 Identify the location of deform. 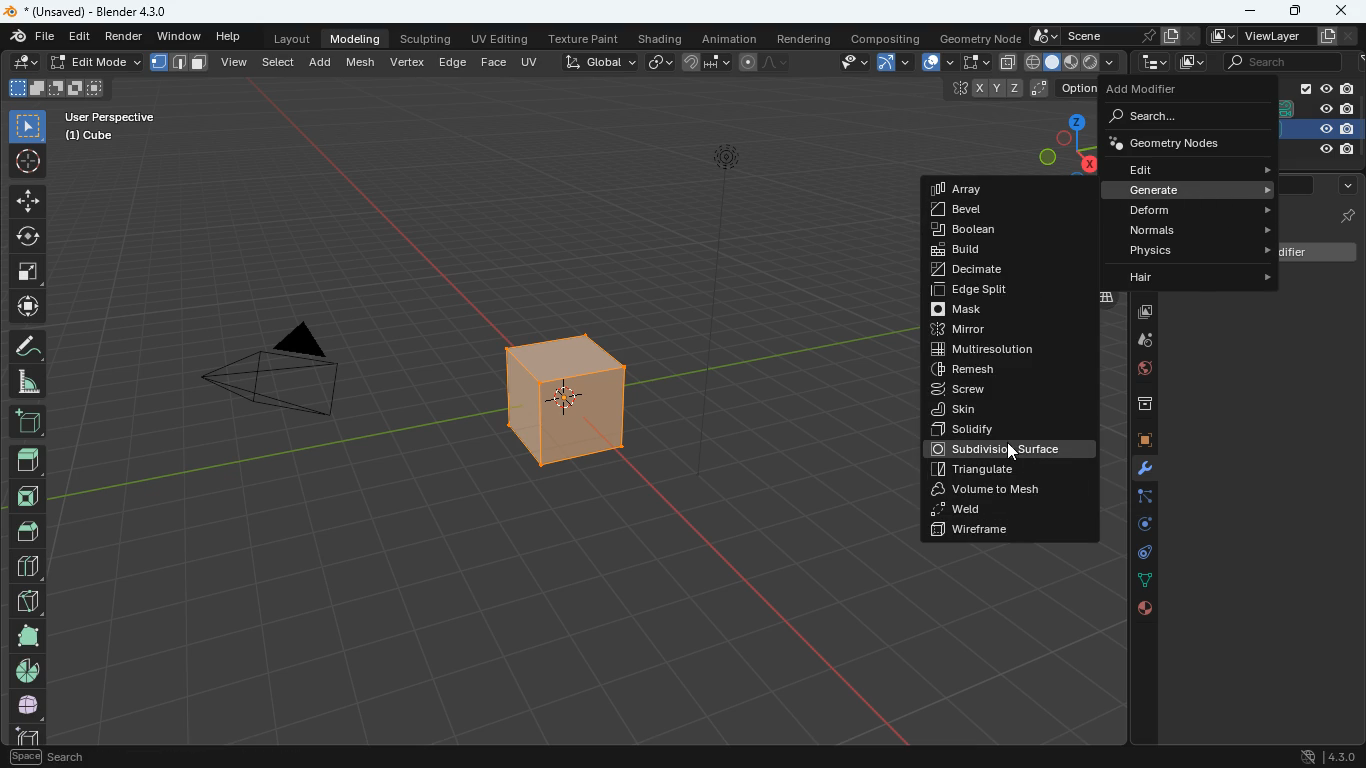
(1182, 210).